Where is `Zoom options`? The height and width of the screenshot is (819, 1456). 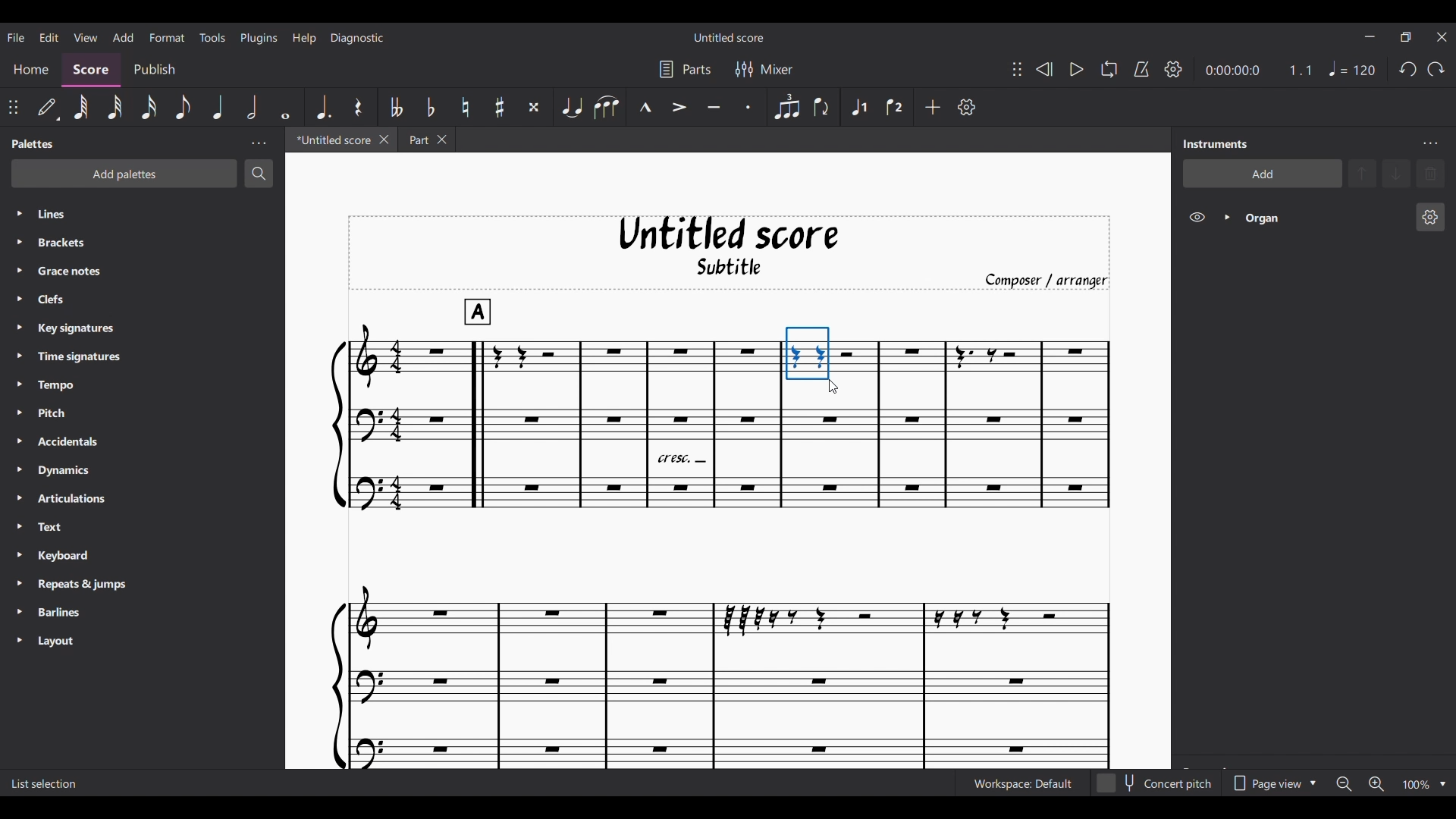
Zoom options is located at coordinates (1443, 784).